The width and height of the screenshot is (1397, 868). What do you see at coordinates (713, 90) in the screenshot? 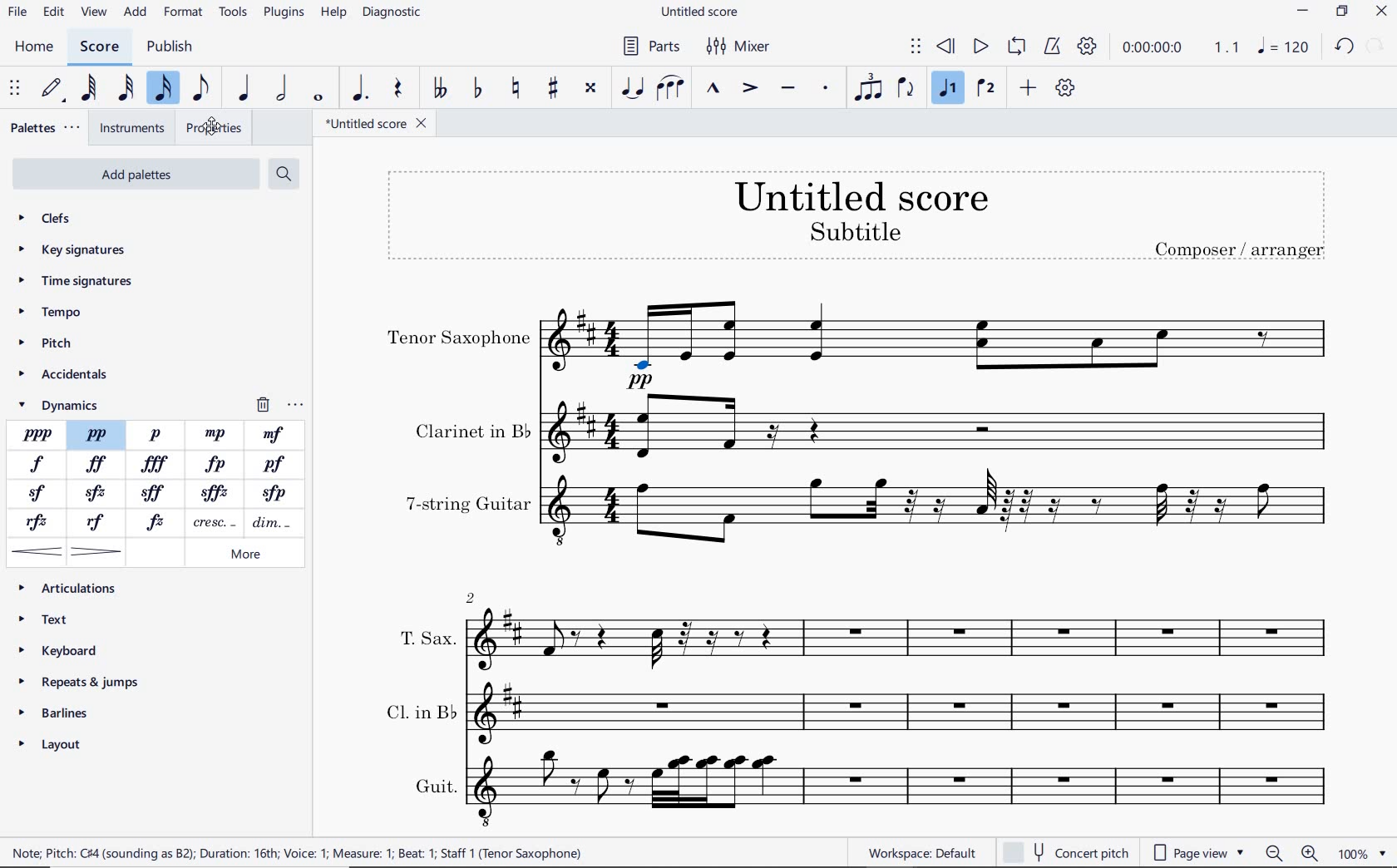
I see `MARCATO` at bounding box center [713, 90].